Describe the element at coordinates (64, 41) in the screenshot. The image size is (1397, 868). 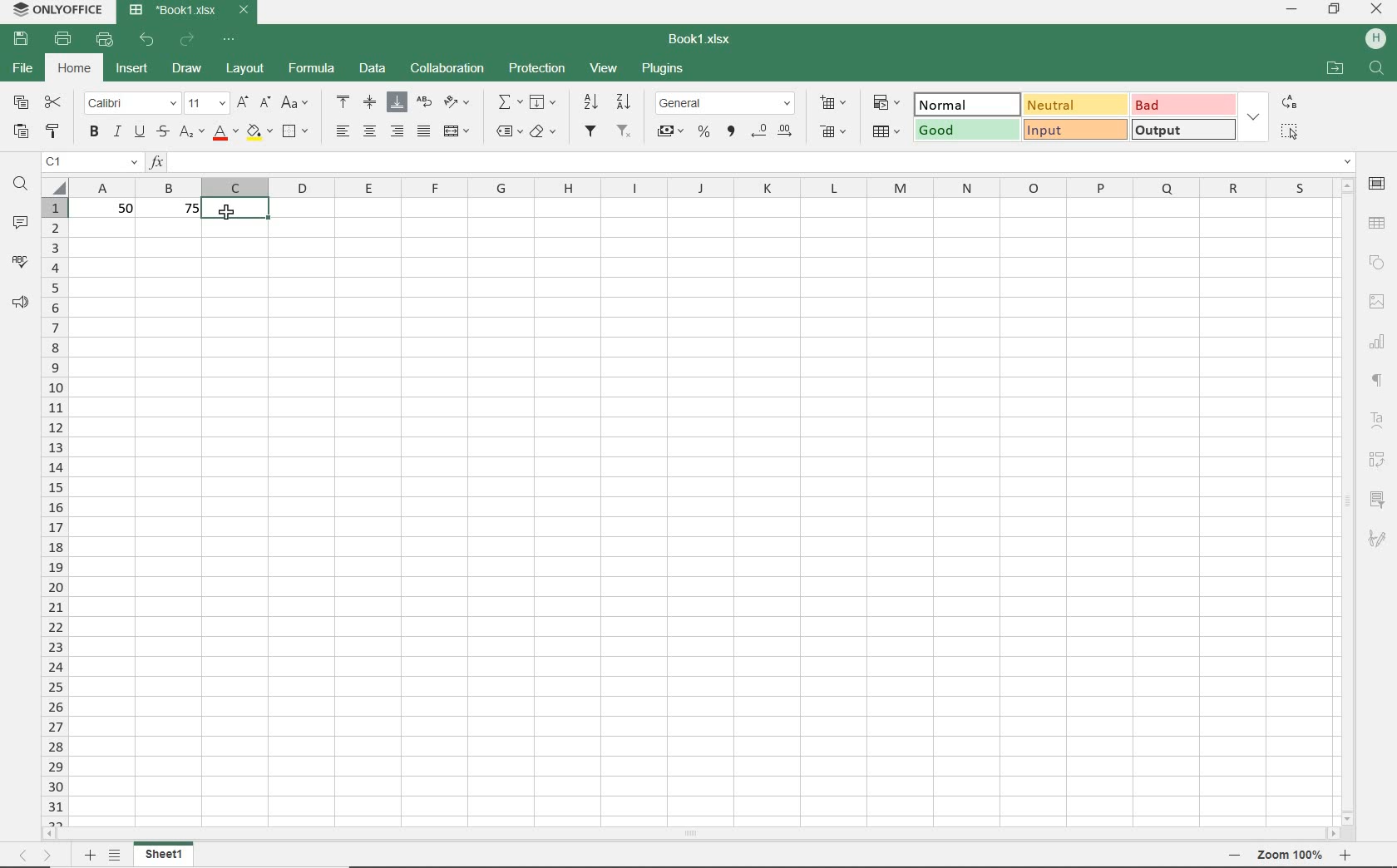
I see `print` at that location.